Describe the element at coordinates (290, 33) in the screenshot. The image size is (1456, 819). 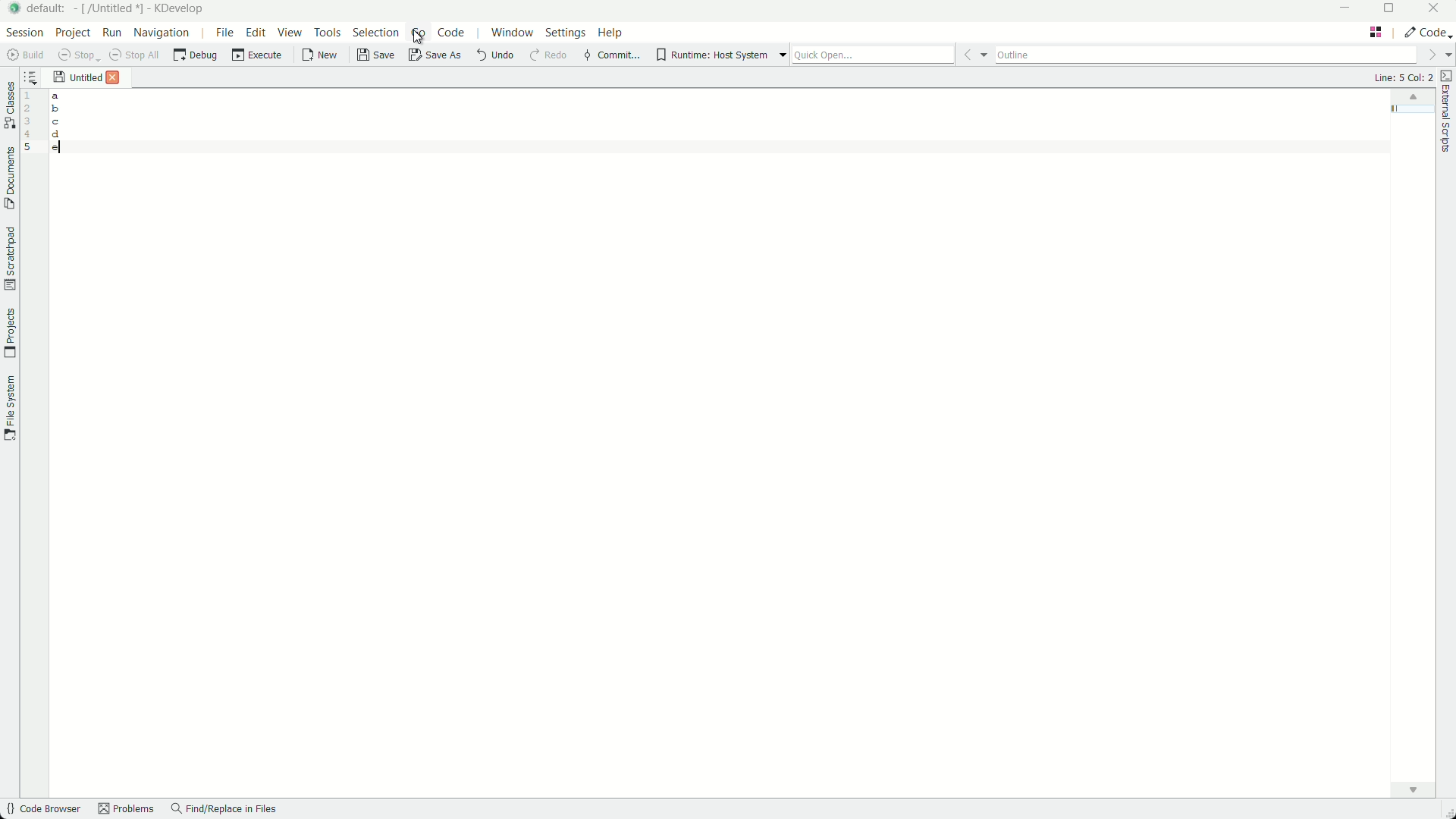
I see `view` at that location.